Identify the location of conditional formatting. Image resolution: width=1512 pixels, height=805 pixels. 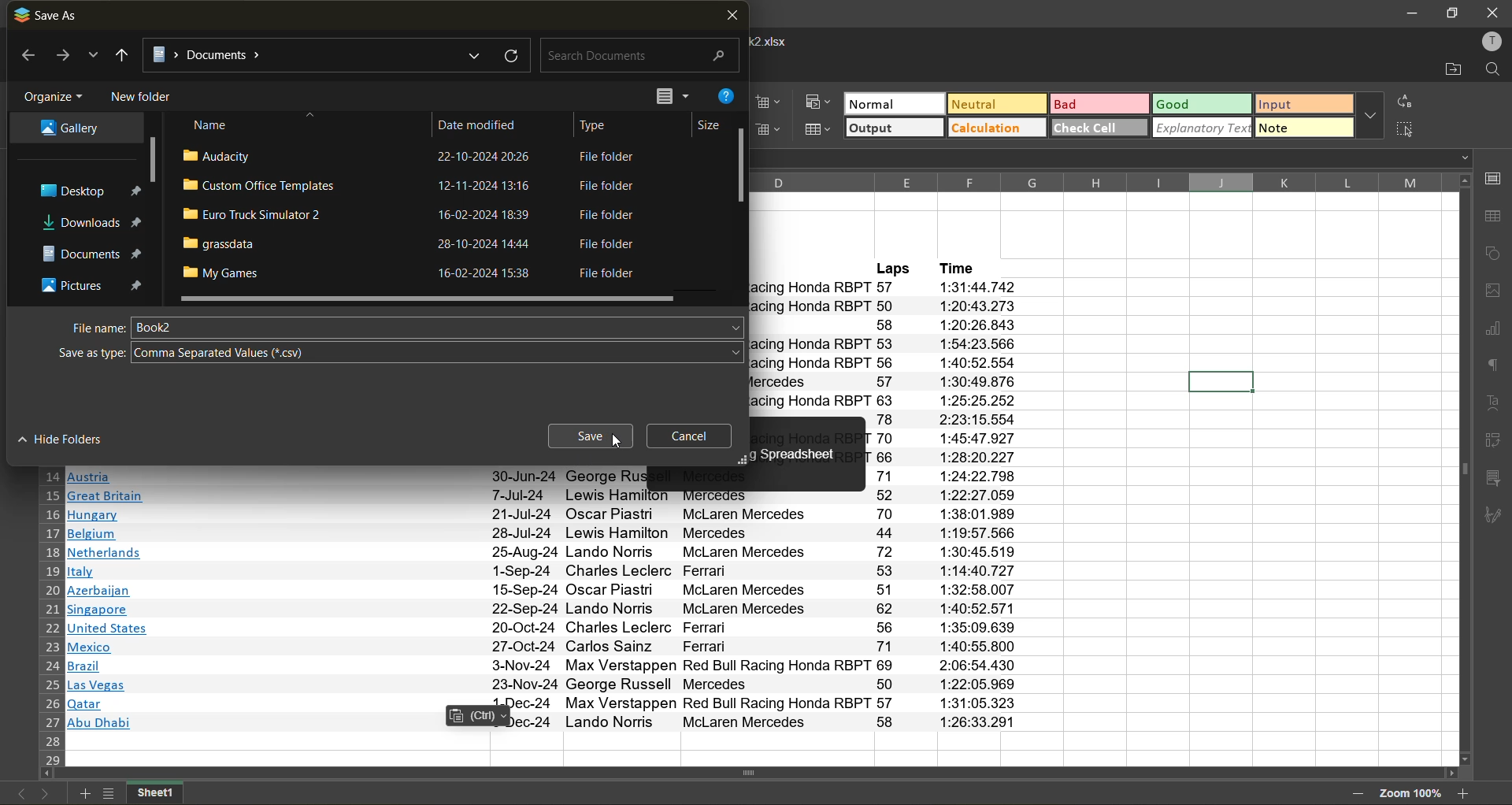
(821, 102).